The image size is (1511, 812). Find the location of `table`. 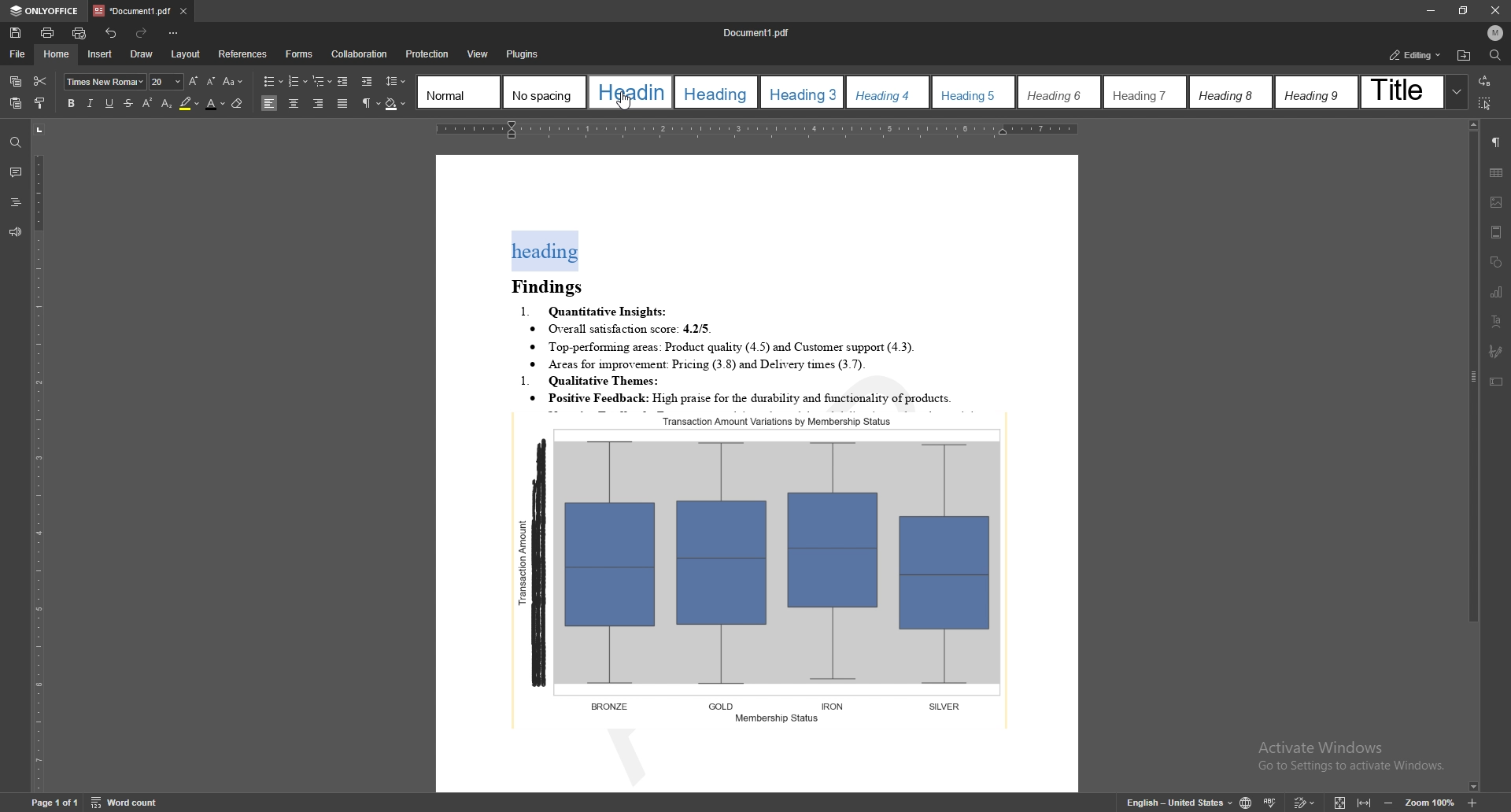

table is located at coordinates (1497, 172).